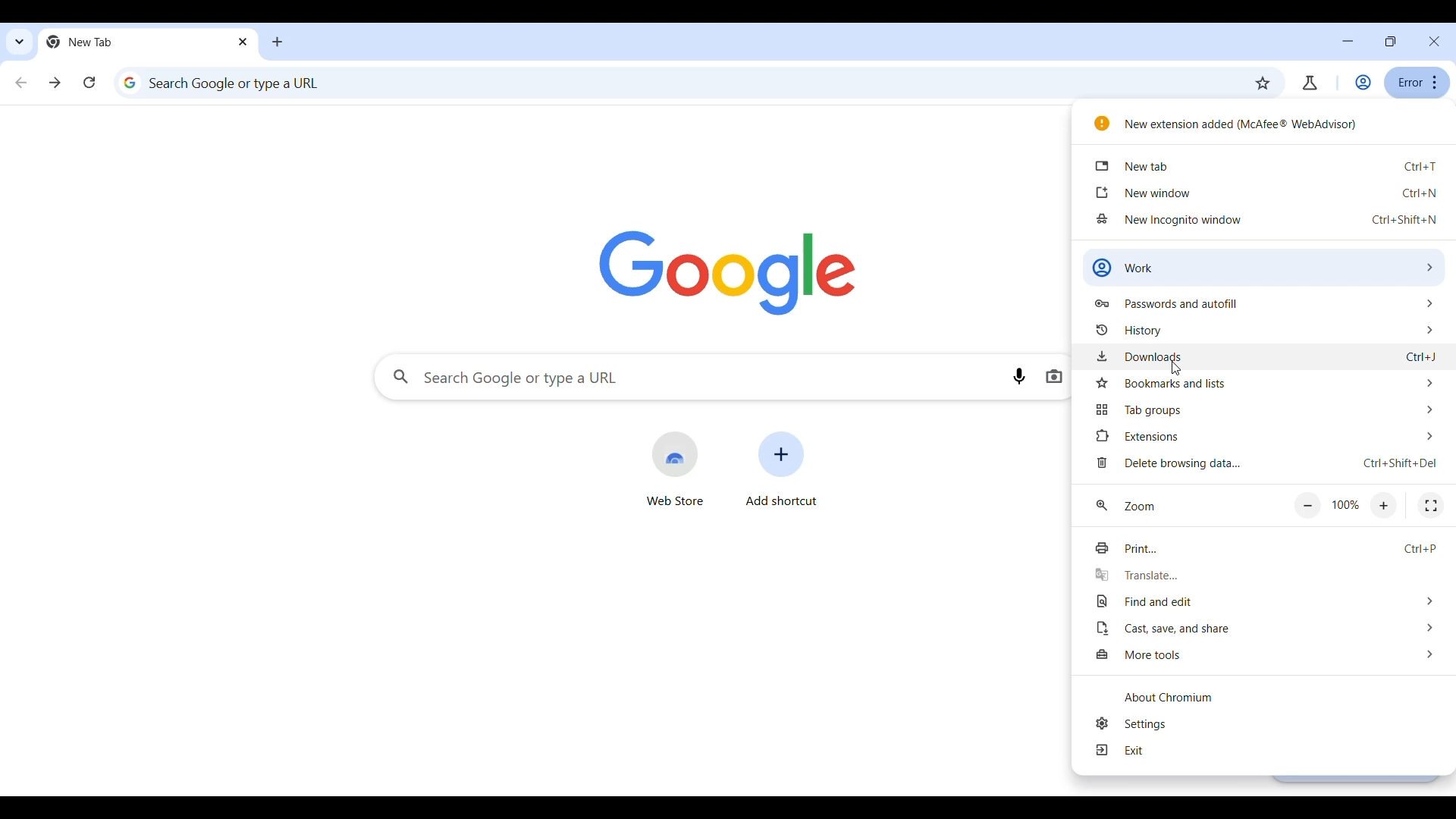 The image size is (1456, 819). What do you see at coordinates (1384, 506) in the screenshot?
I see `Zoom in` at bounding box center [1384, 506].